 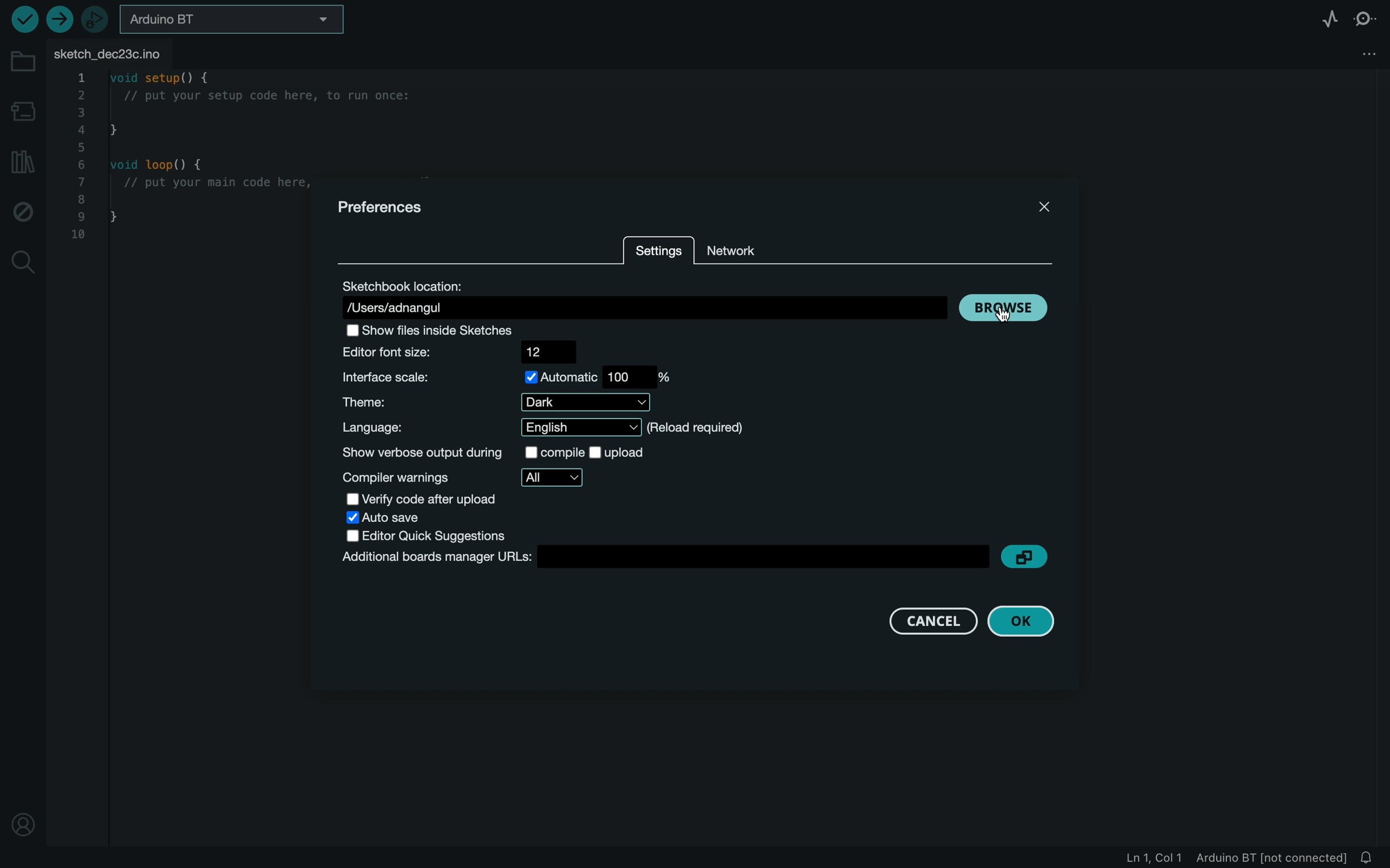 I want to click on font size, so click(x=462, y=355).